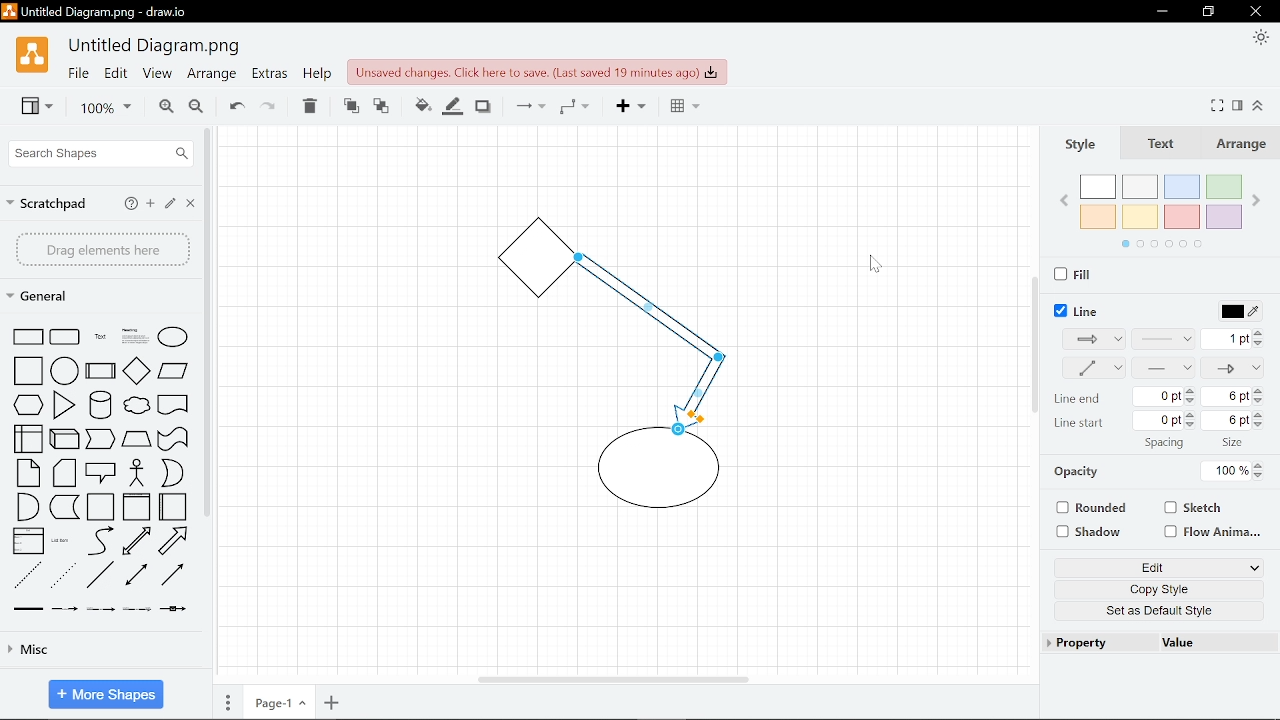 The image size is (1280, 720). Describe the element at coordinates (316, 76) in the screenshot. I see `help` at that location.